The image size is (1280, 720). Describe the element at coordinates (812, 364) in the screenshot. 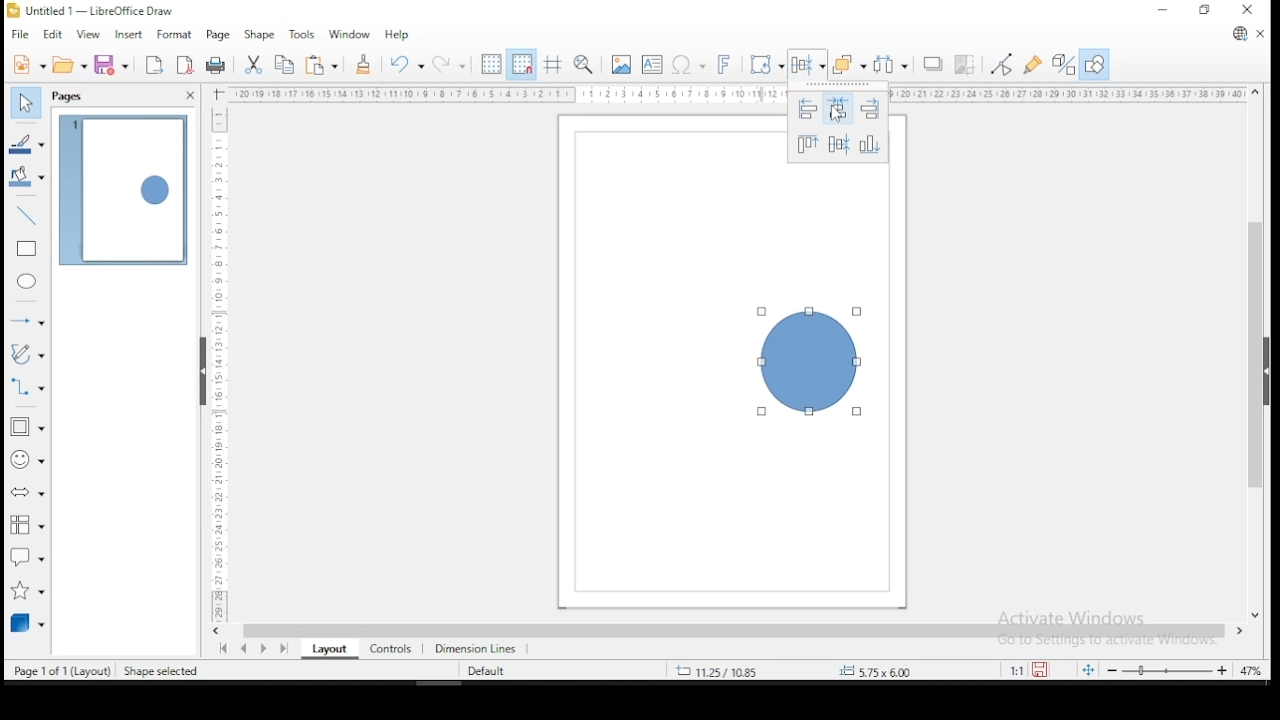

I see `shape` at that location.